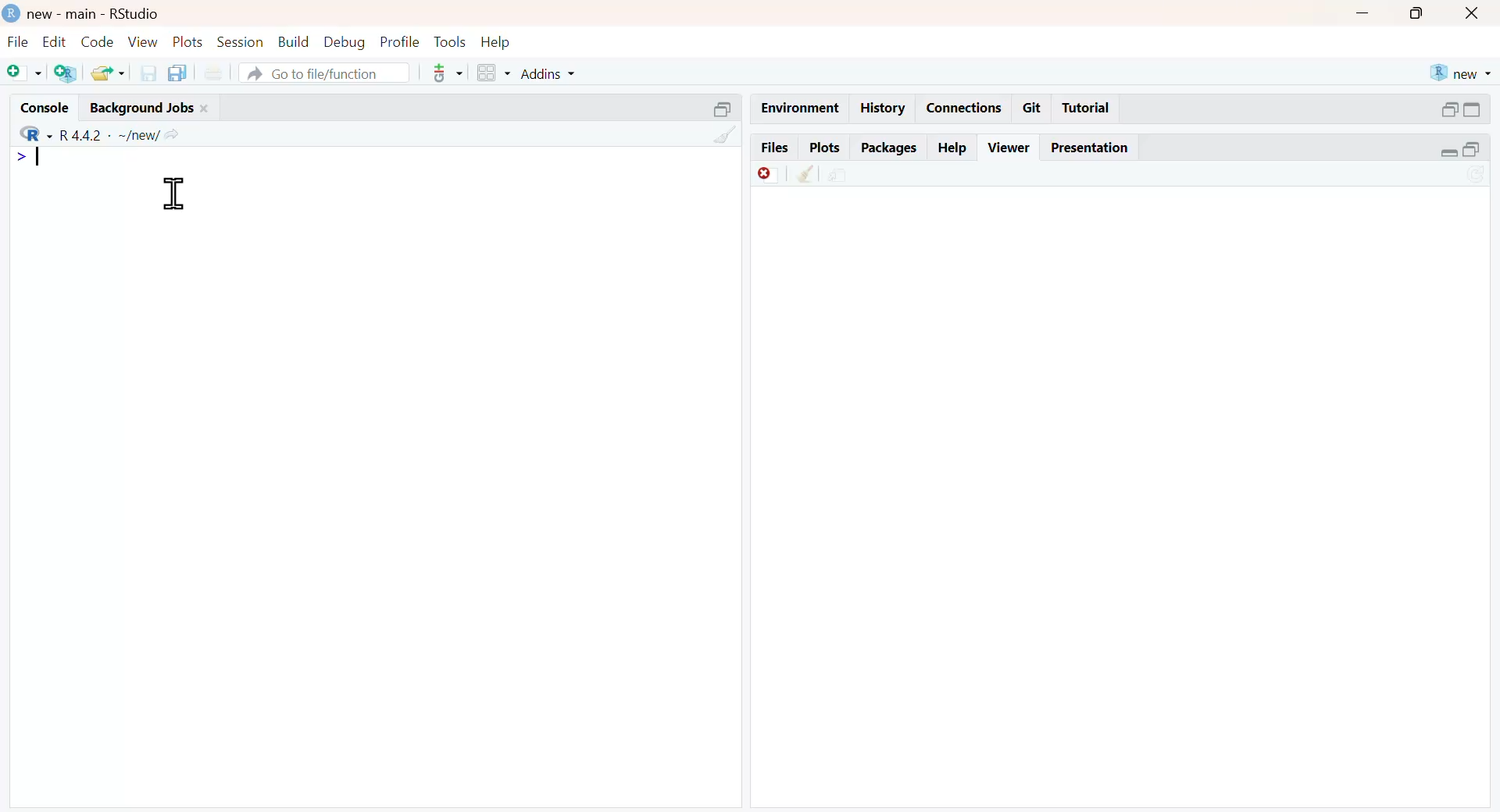 This screenshot has height=812, width=1500. What do you see at coordinates (449, 73) in the screenshot?
I see `tools` at bounding box center [449, 73].